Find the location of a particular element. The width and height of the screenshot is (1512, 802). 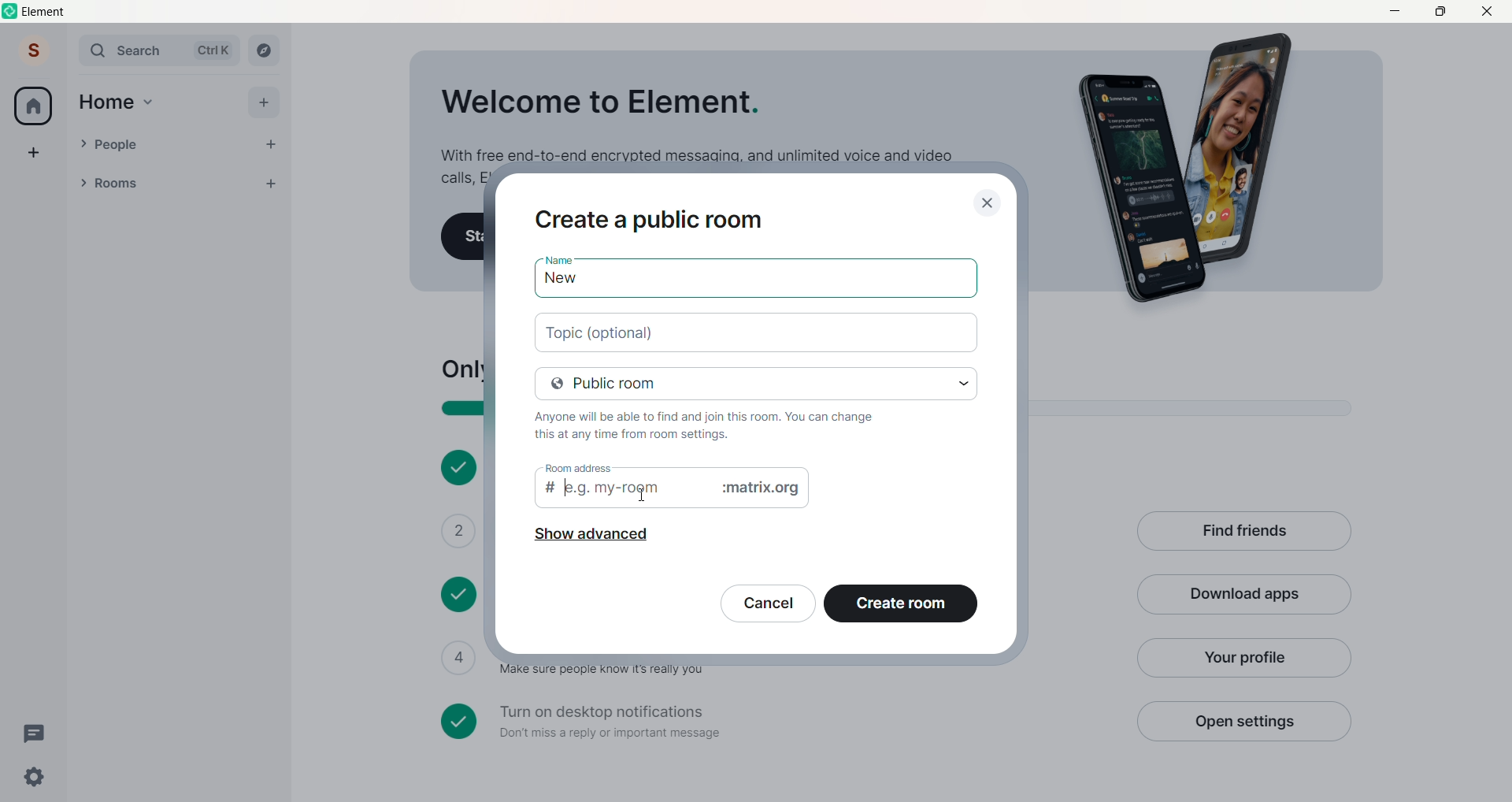

named added: "new" is located at coordinates (755, 281).